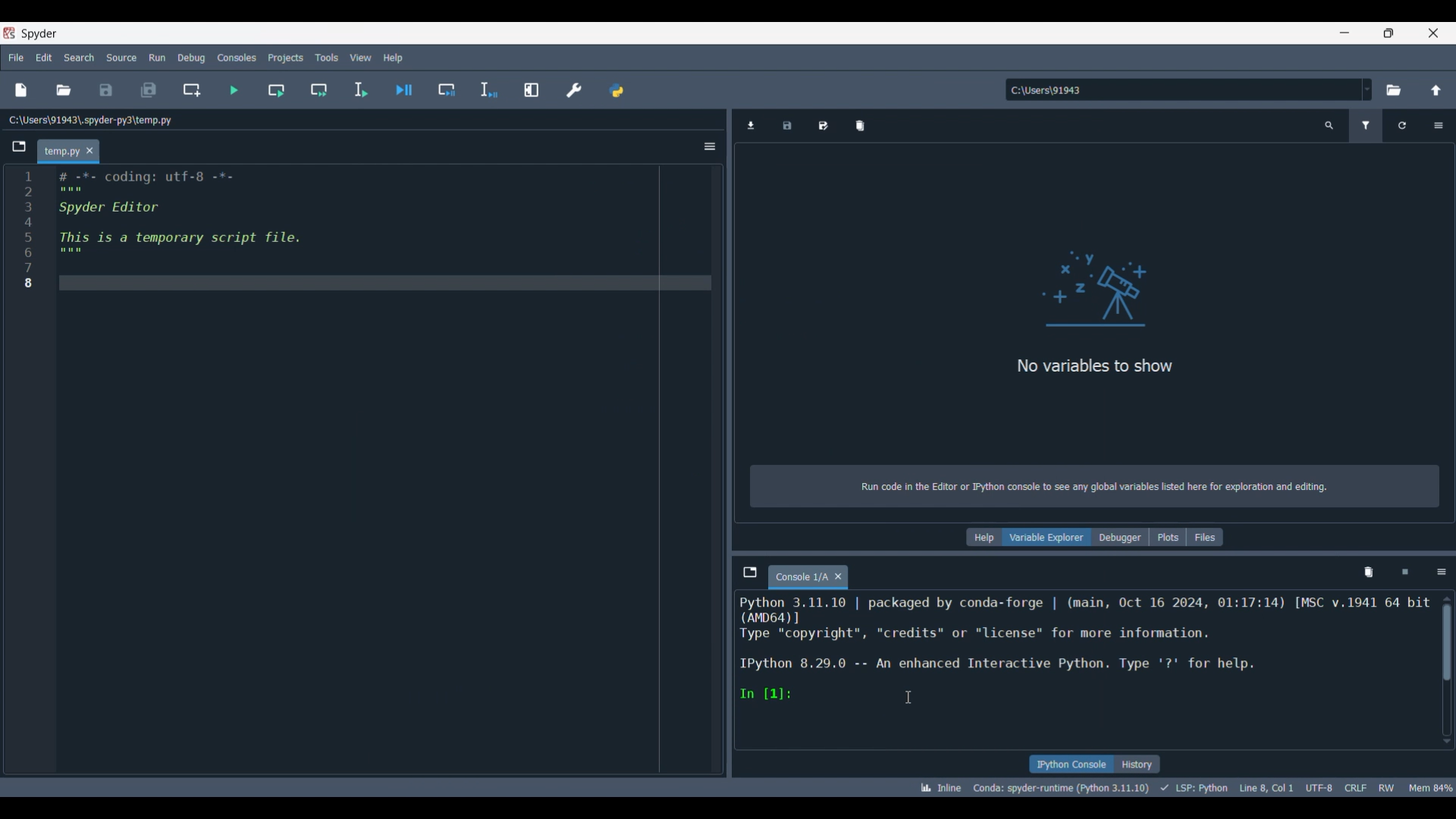 The height and width of the screenshot is (819, 1456). What do you see at coordinates (1084, 646) in the screenshot?
I see `Details of current code` at bounding box center [1084, 646].